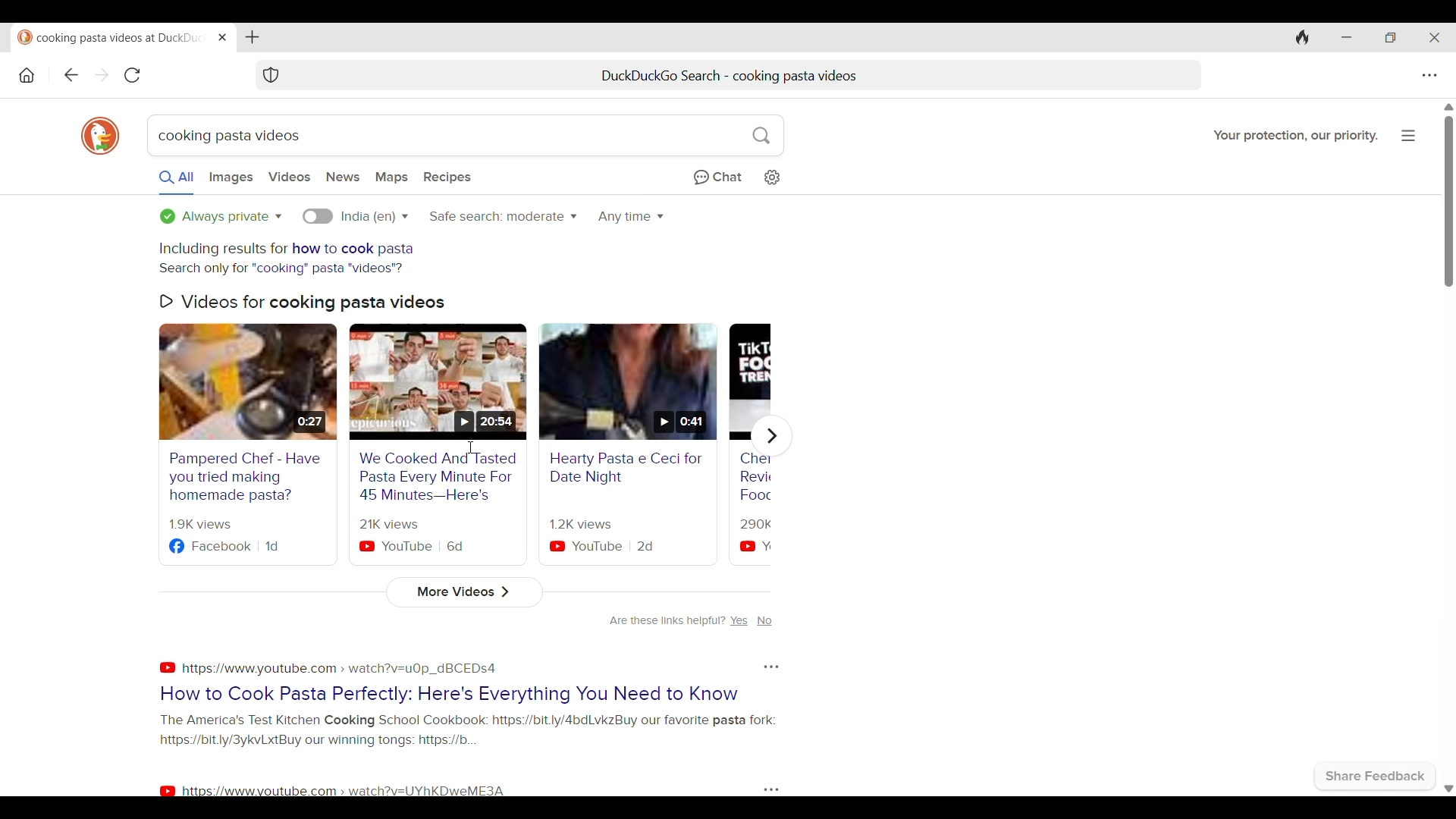 This screenshot has width=1456, height=819. I want to click on Change search settings, so click(772, 178).